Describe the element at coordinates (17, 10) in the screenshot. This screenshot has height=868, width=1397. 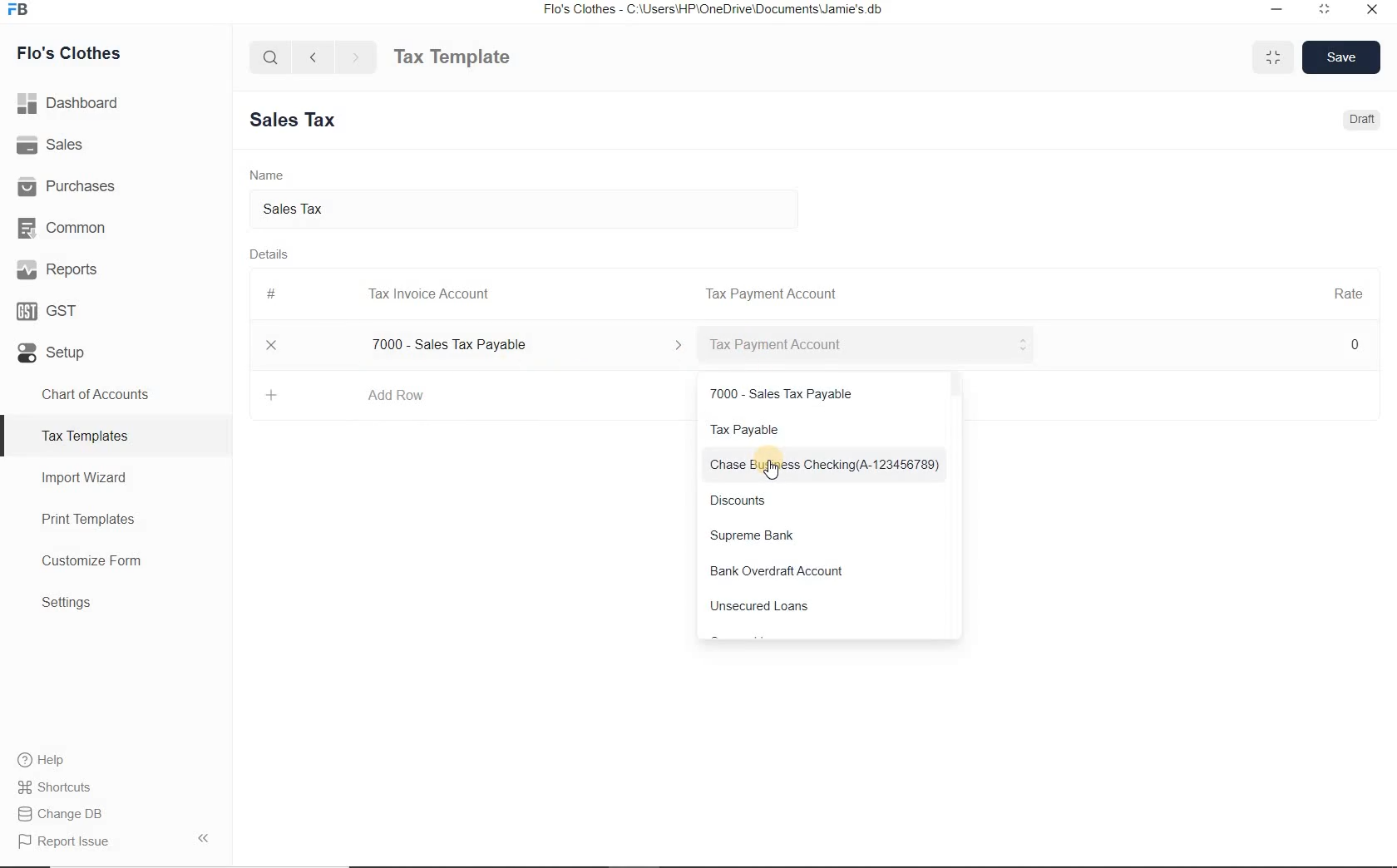
I see `FB Logo` at that location.